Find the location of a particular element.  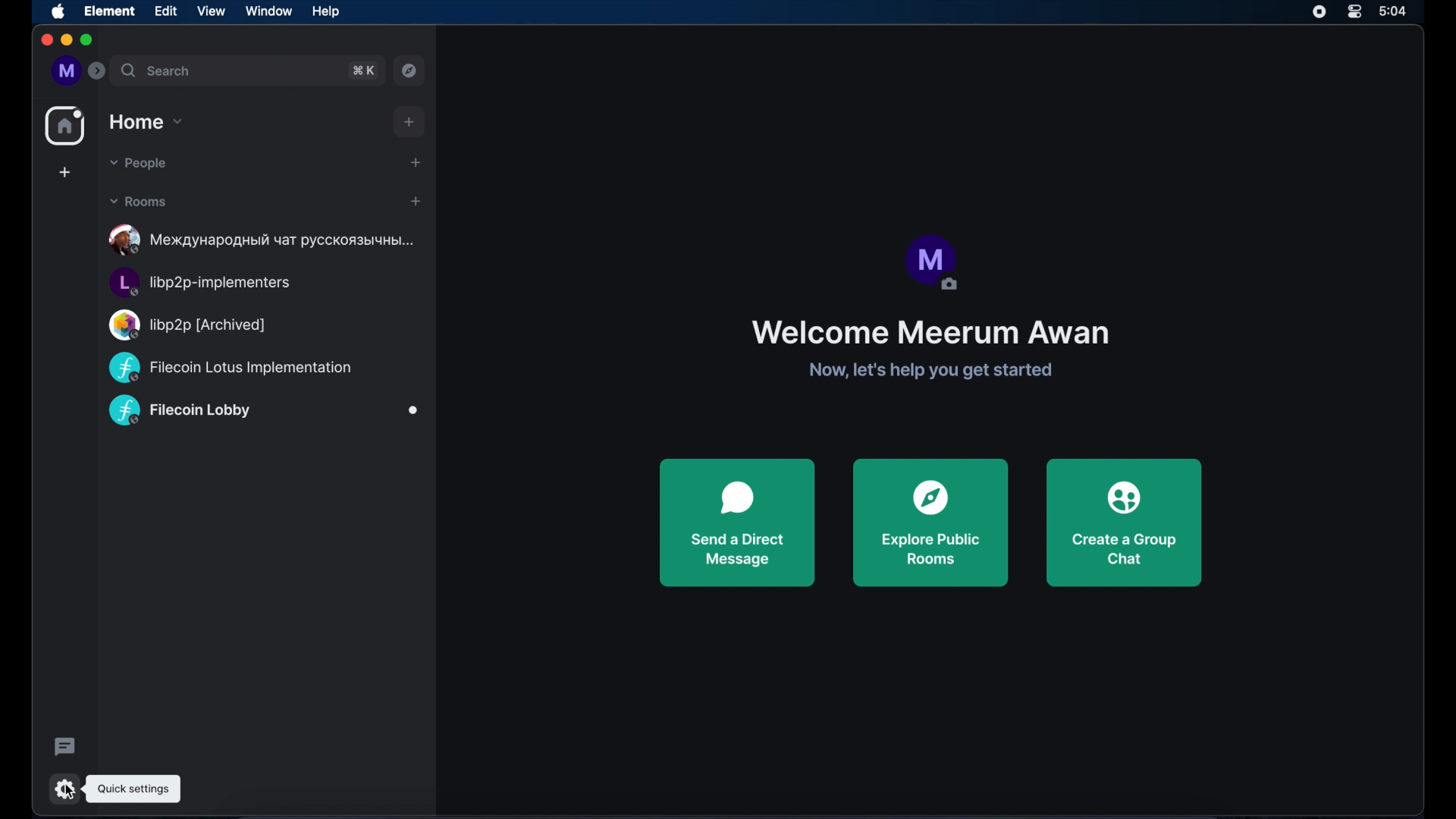

explore public rooms is located at coordinates (410, 71).